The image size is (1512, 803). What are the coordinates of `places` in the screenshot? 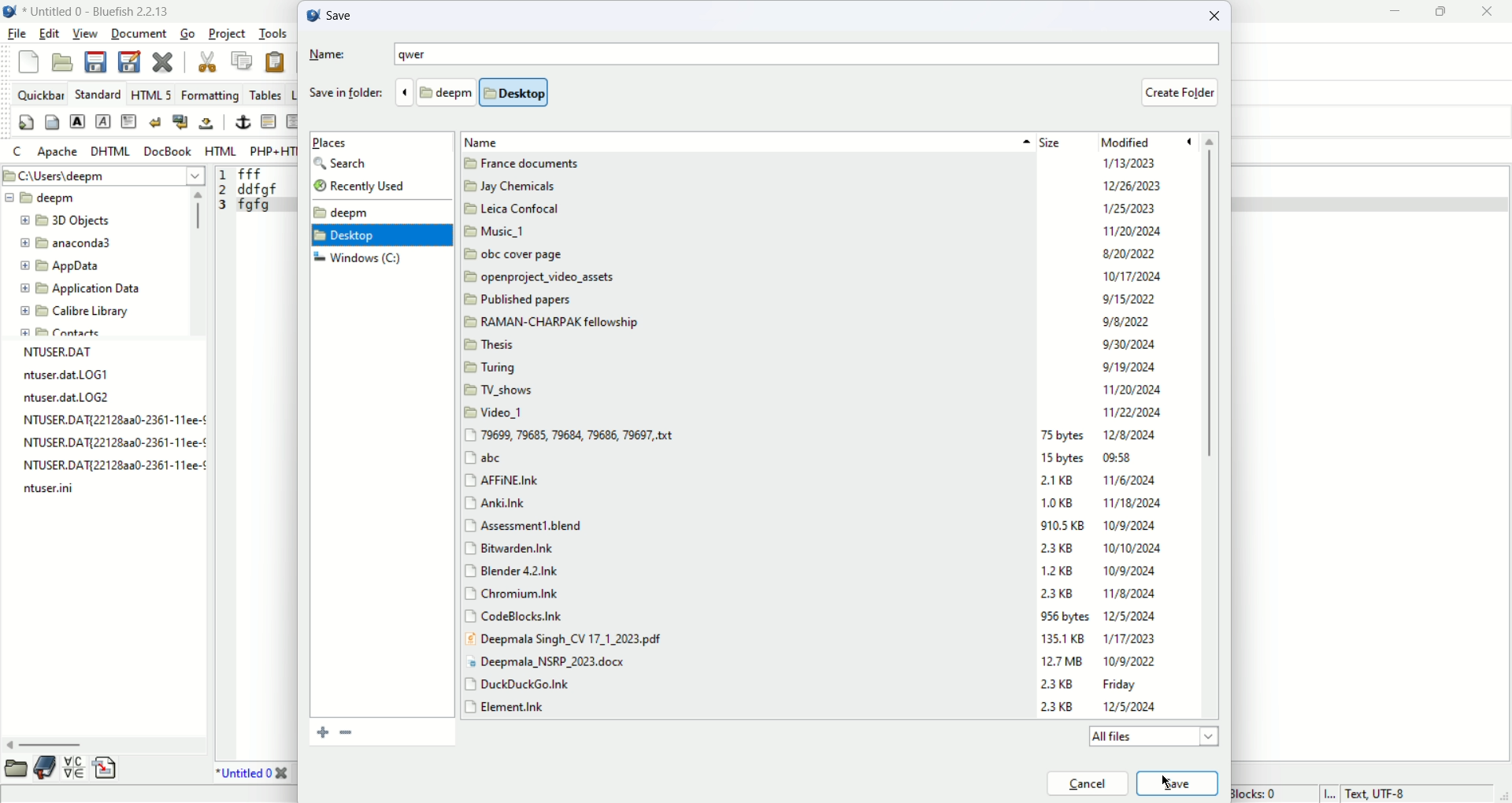 It's located at (335, 142).